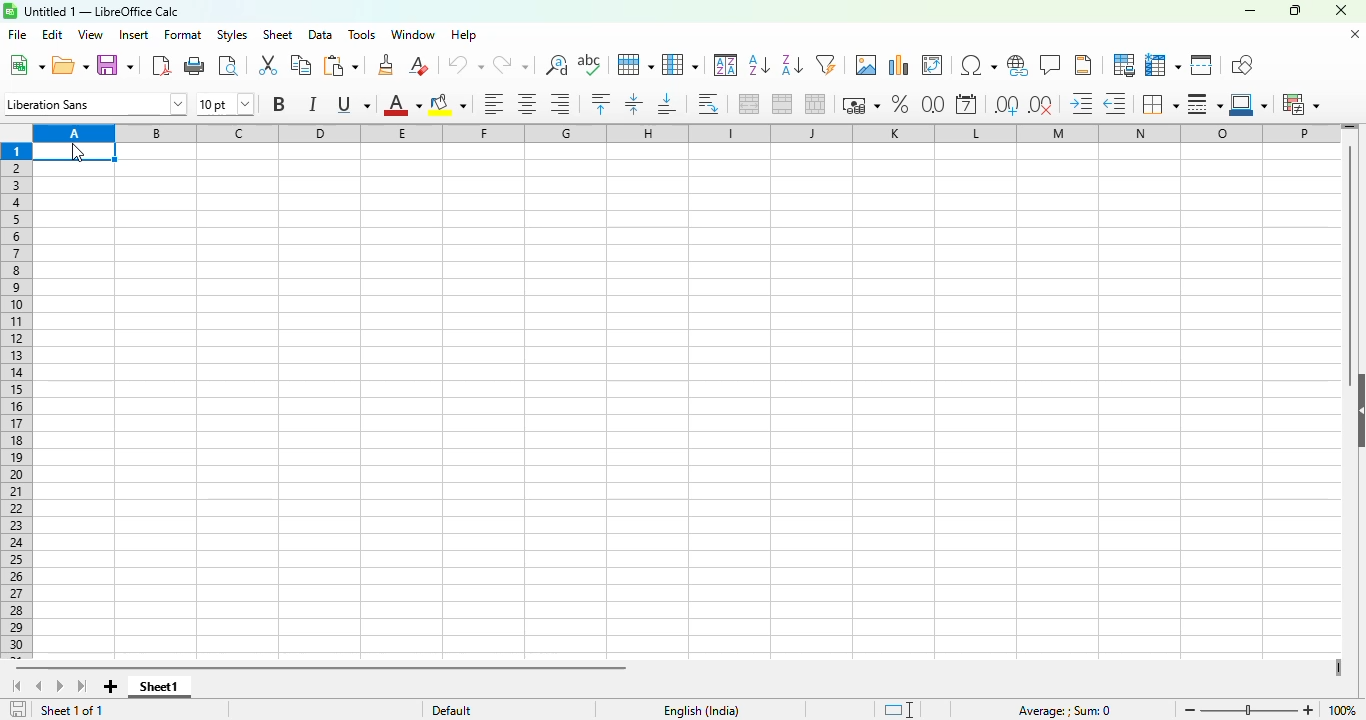 Image resolution: width=1366 pixels, height=720 pixels. I want to click on scroll to first page, so click(15, 686).